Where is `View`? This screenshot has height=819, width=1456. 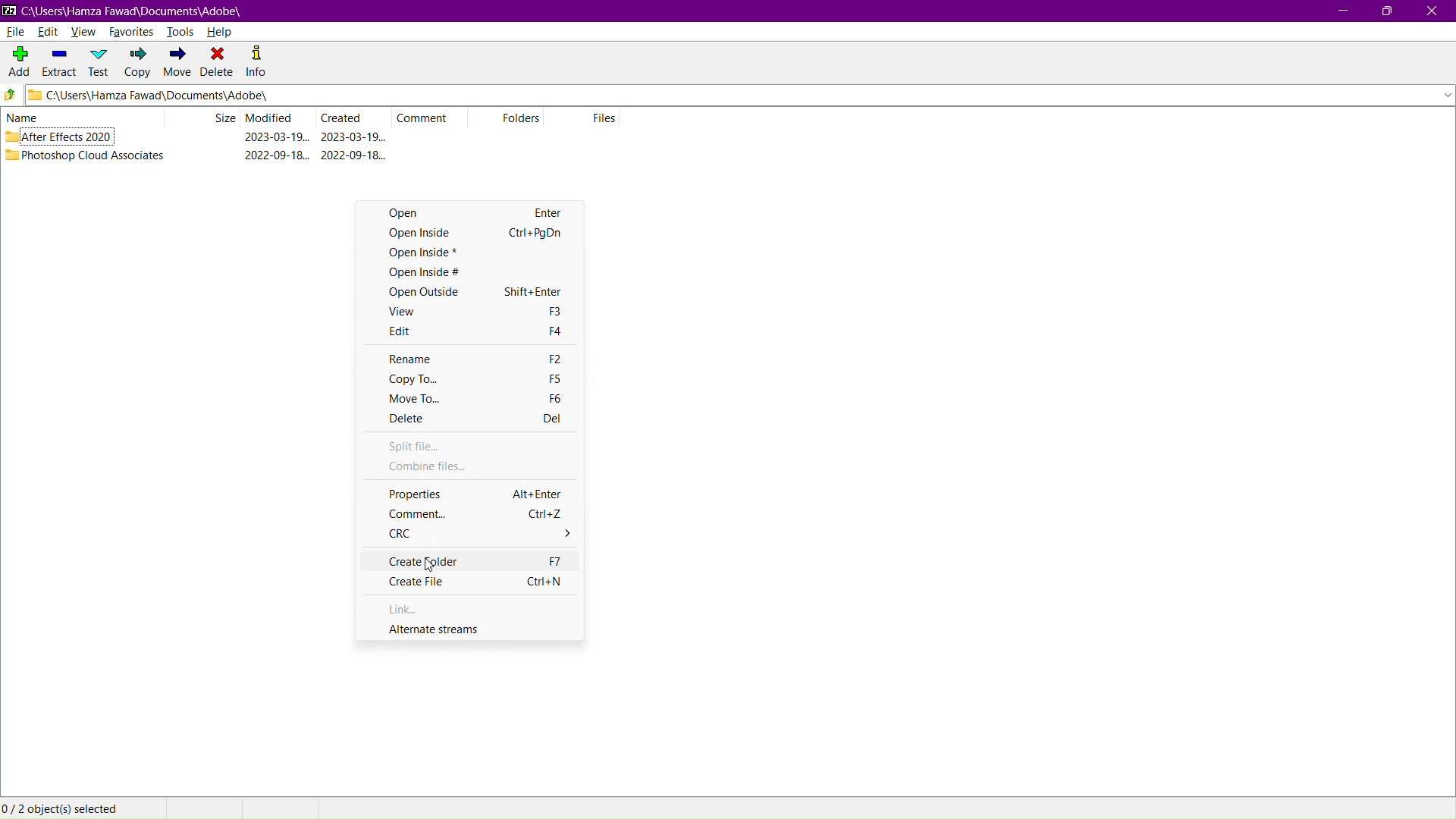
View is located at coordinates (467, 311).